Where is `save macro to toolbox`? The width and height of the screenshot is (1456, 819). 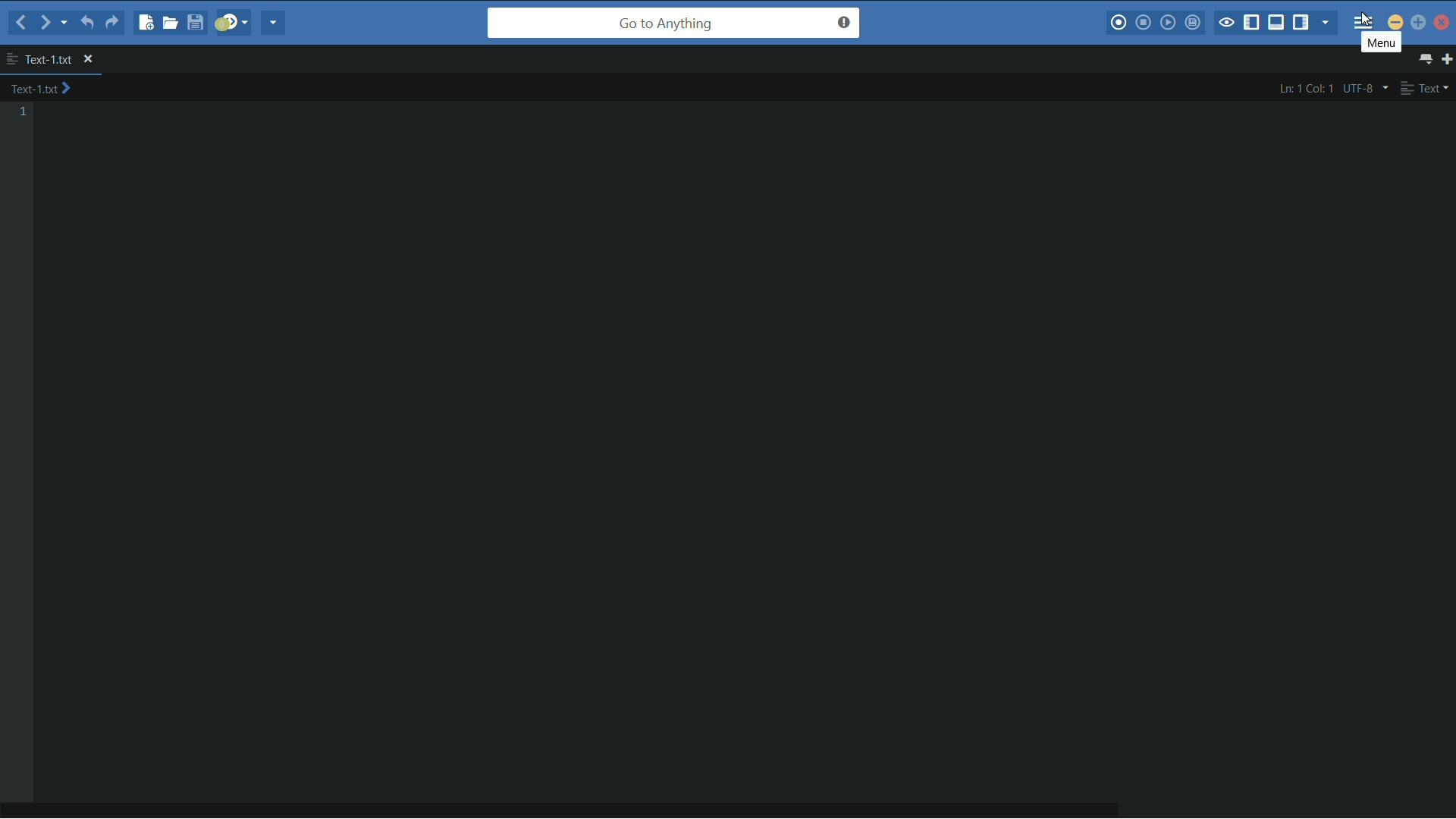
save macro to toolbox is located at coordinates (1191, 22).